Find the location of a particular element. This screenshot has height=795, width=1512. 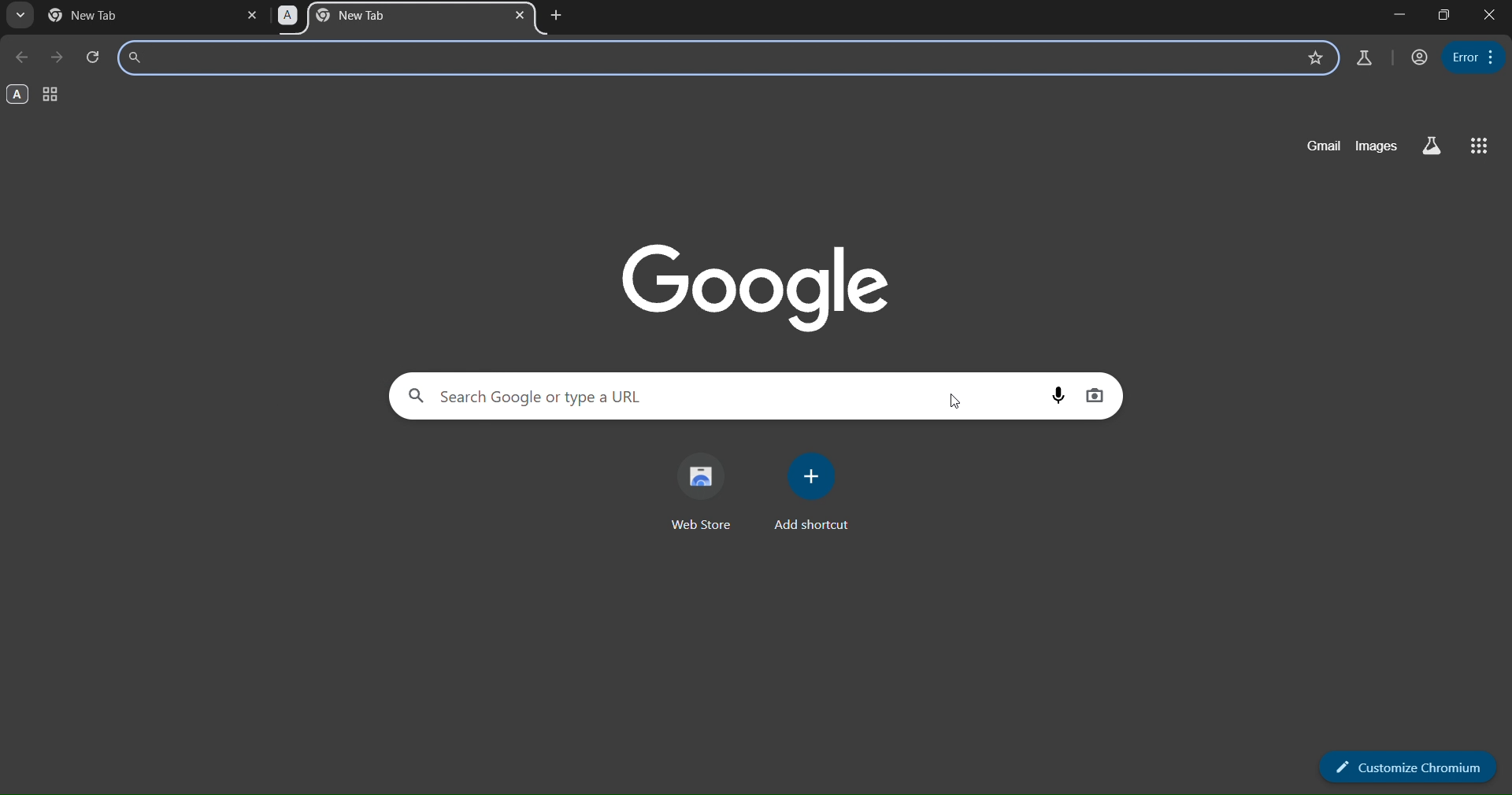

search labs is located at coordinates (1436, 146).